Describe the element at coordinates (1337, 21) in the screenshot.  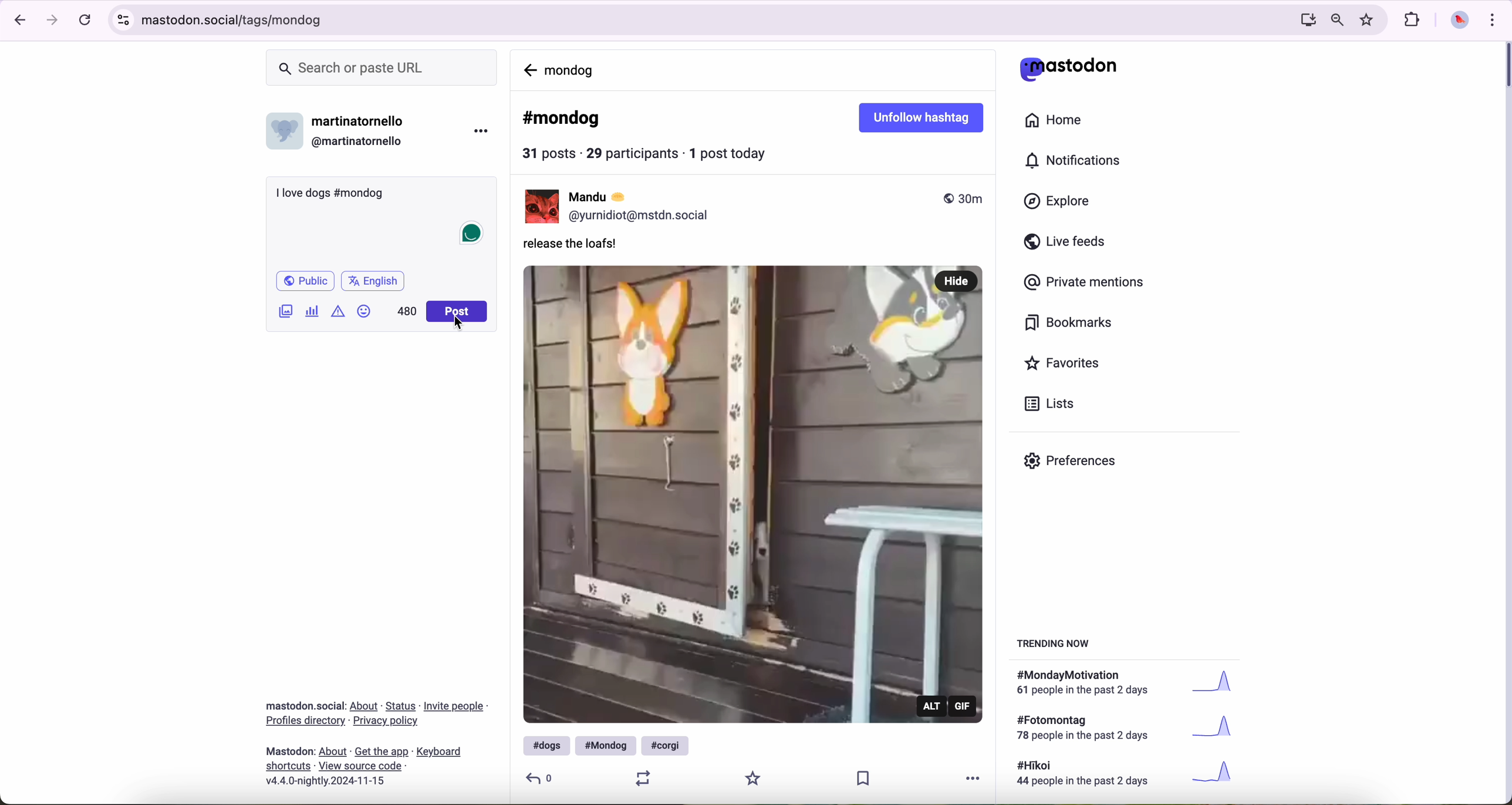
I see `zoom` at that location.